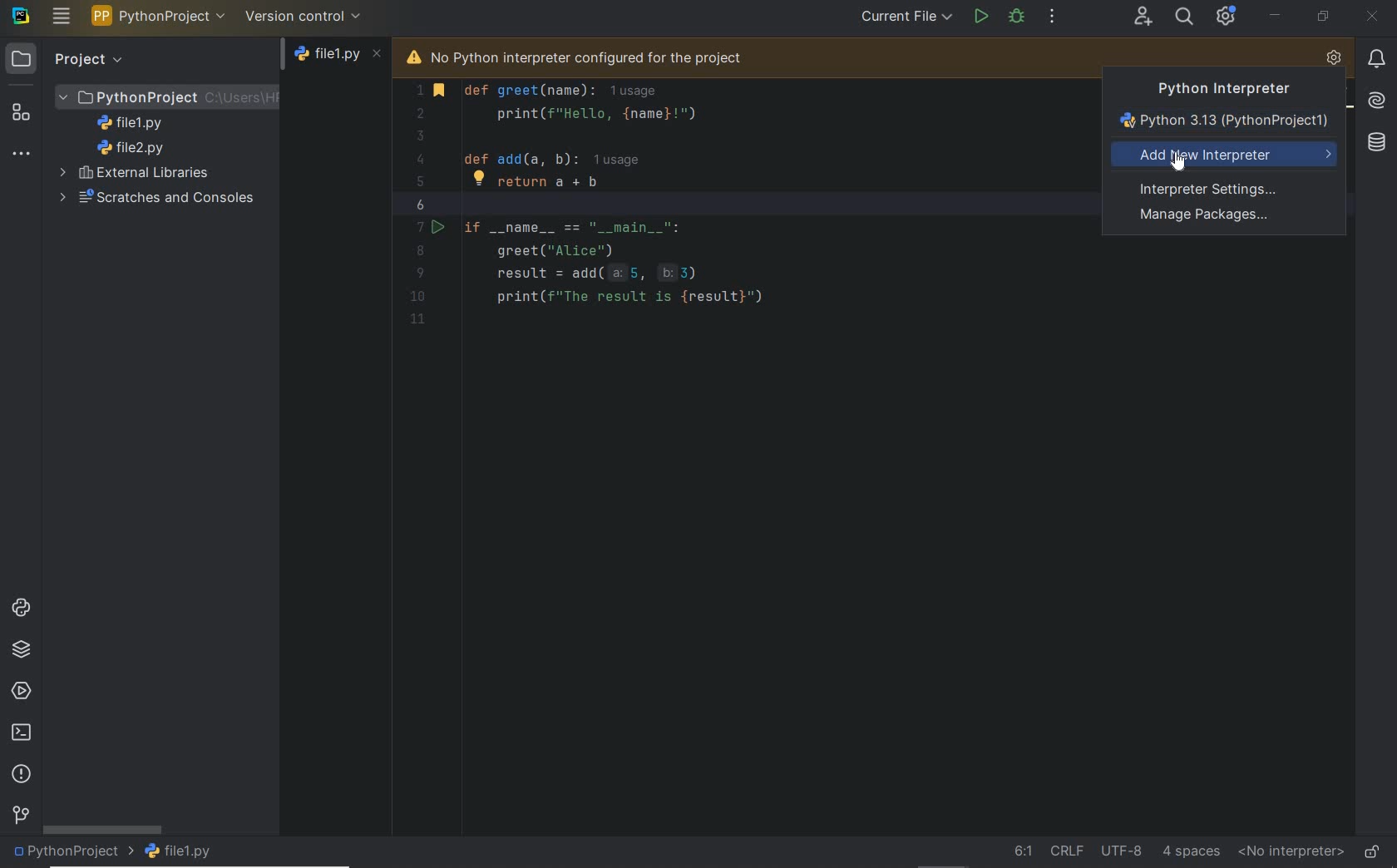 The height and width of the screenshot is (868, 1397). Describe the element at coordinates (1227, 18) in the screenshot. I see `Ide and Project Settings` at that location.